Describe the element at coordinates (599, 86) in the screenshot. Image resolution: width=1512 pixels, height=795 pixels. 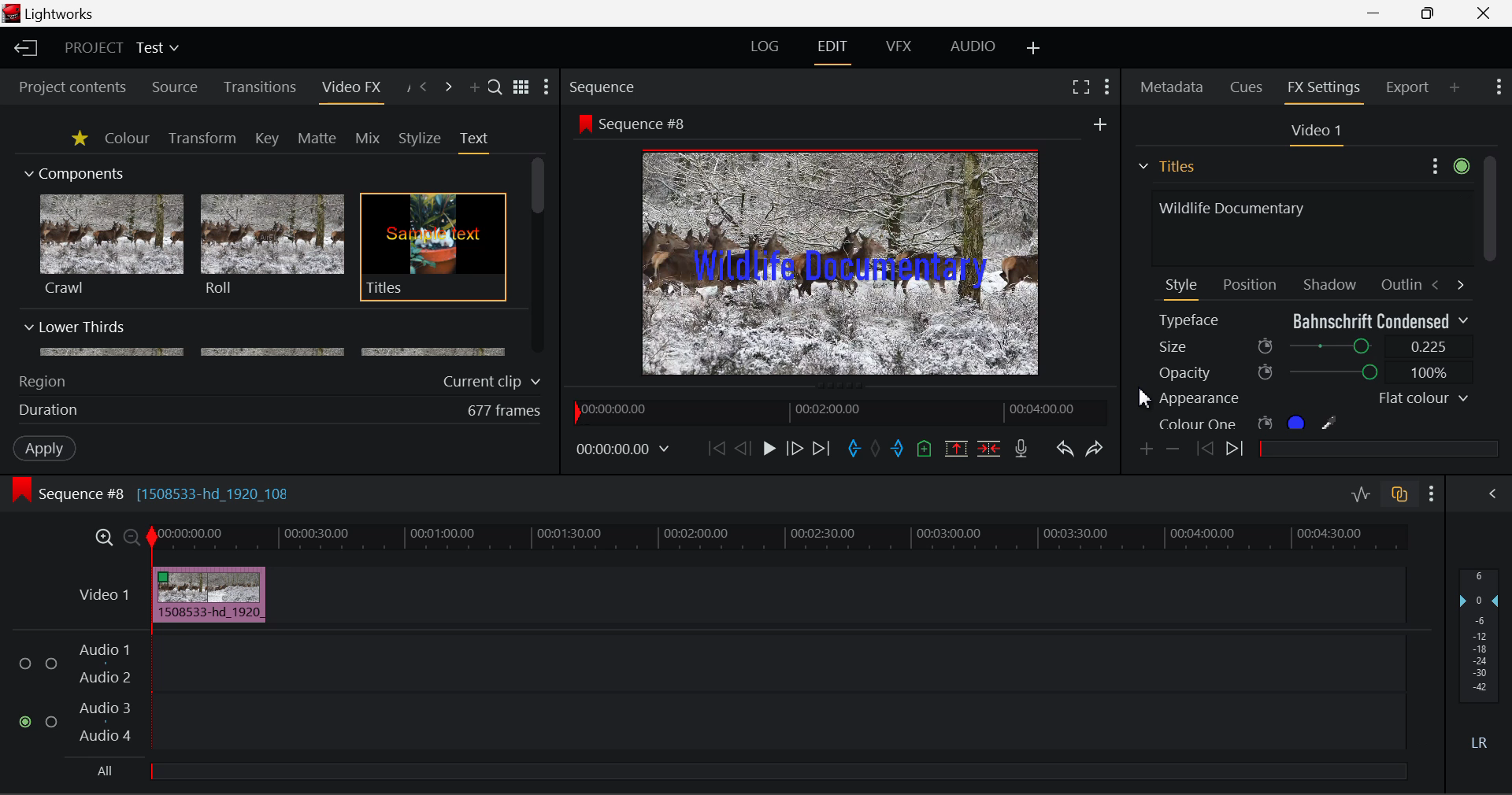
I see `Sequence` at that location.